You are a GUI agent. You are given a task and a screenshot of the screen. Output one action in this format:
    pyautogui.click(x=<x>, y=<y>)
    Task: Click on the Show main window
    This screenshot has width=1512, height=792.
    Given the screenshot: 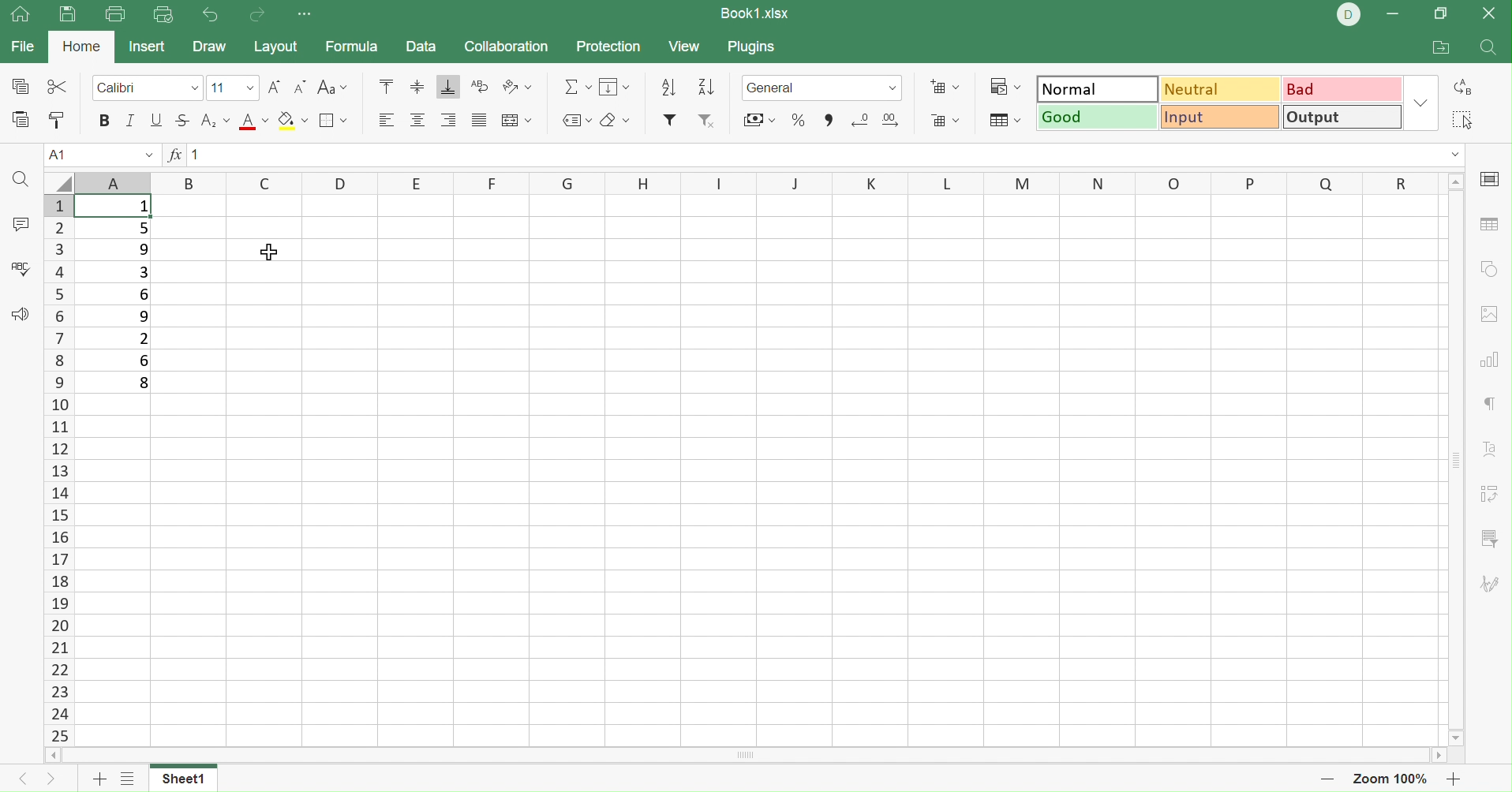 What is the action you would take?
    pyautogui.click(x=19, y=15)
    